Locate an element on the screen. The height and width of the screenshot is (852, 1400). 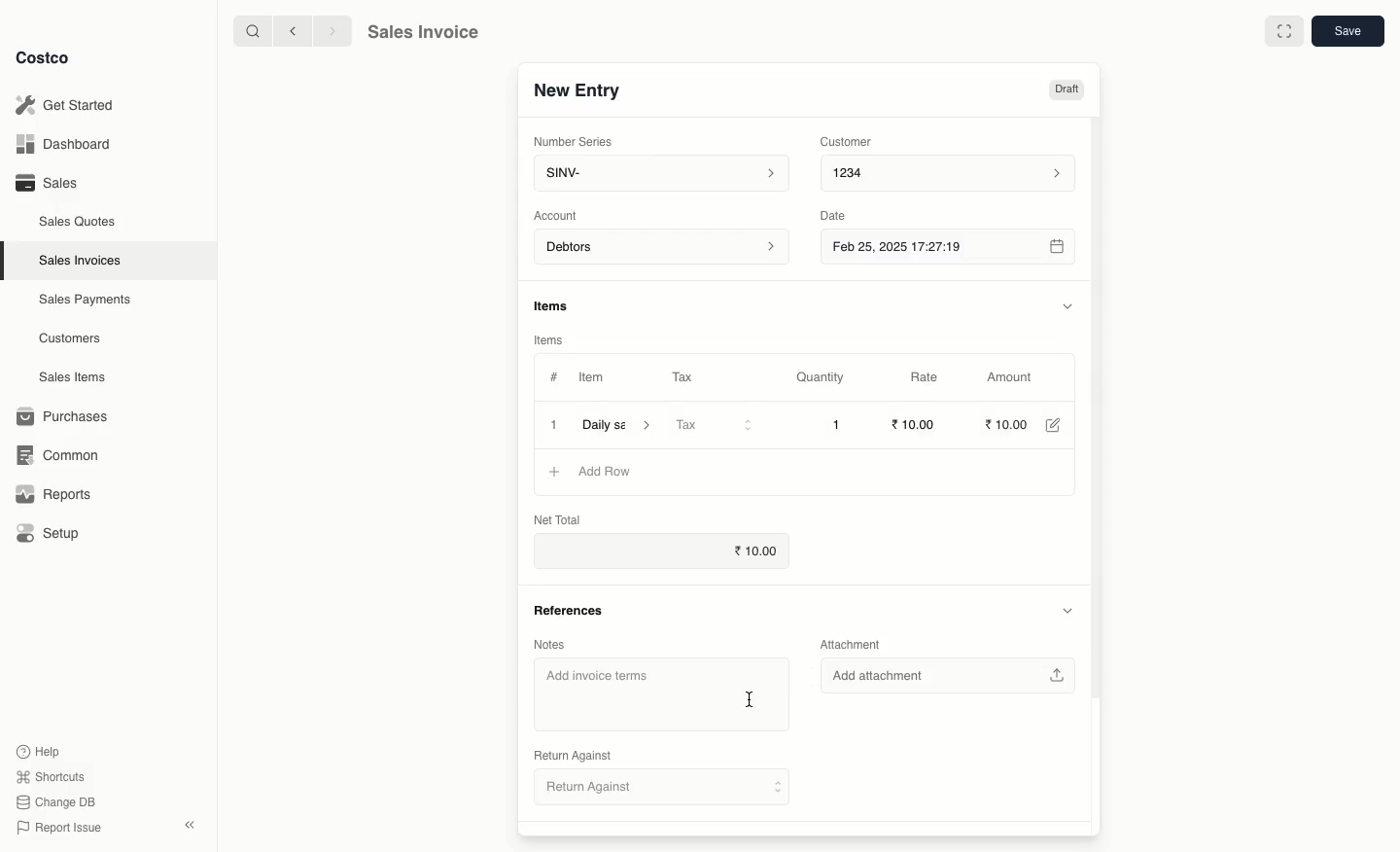
Full width toggle is located at coordinates (1283, 30).